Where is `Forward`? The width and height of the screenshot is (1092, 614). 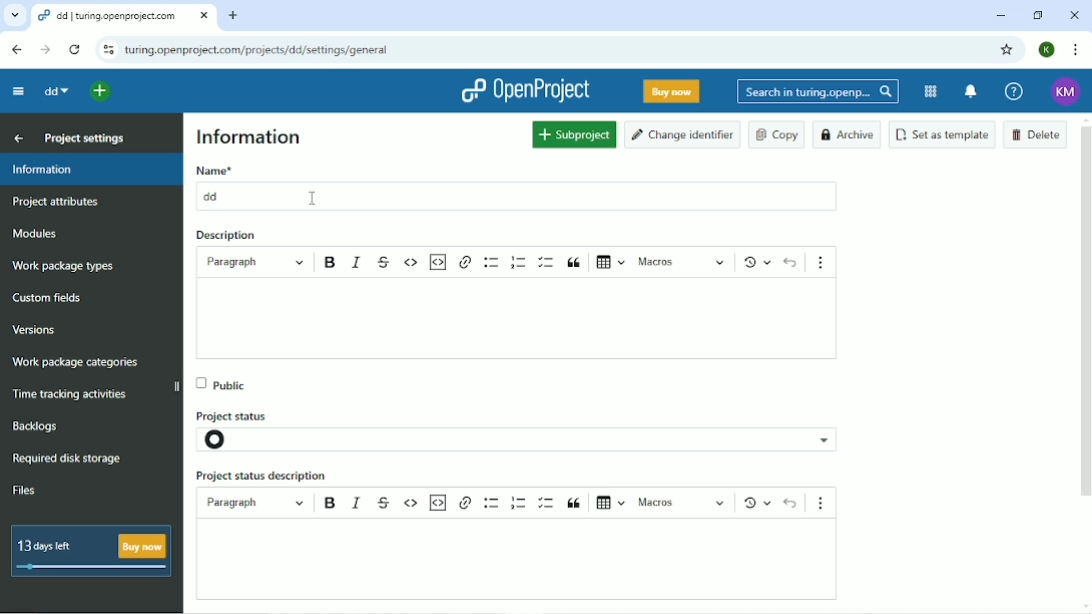
Forward is located at coordinates (45, 51).